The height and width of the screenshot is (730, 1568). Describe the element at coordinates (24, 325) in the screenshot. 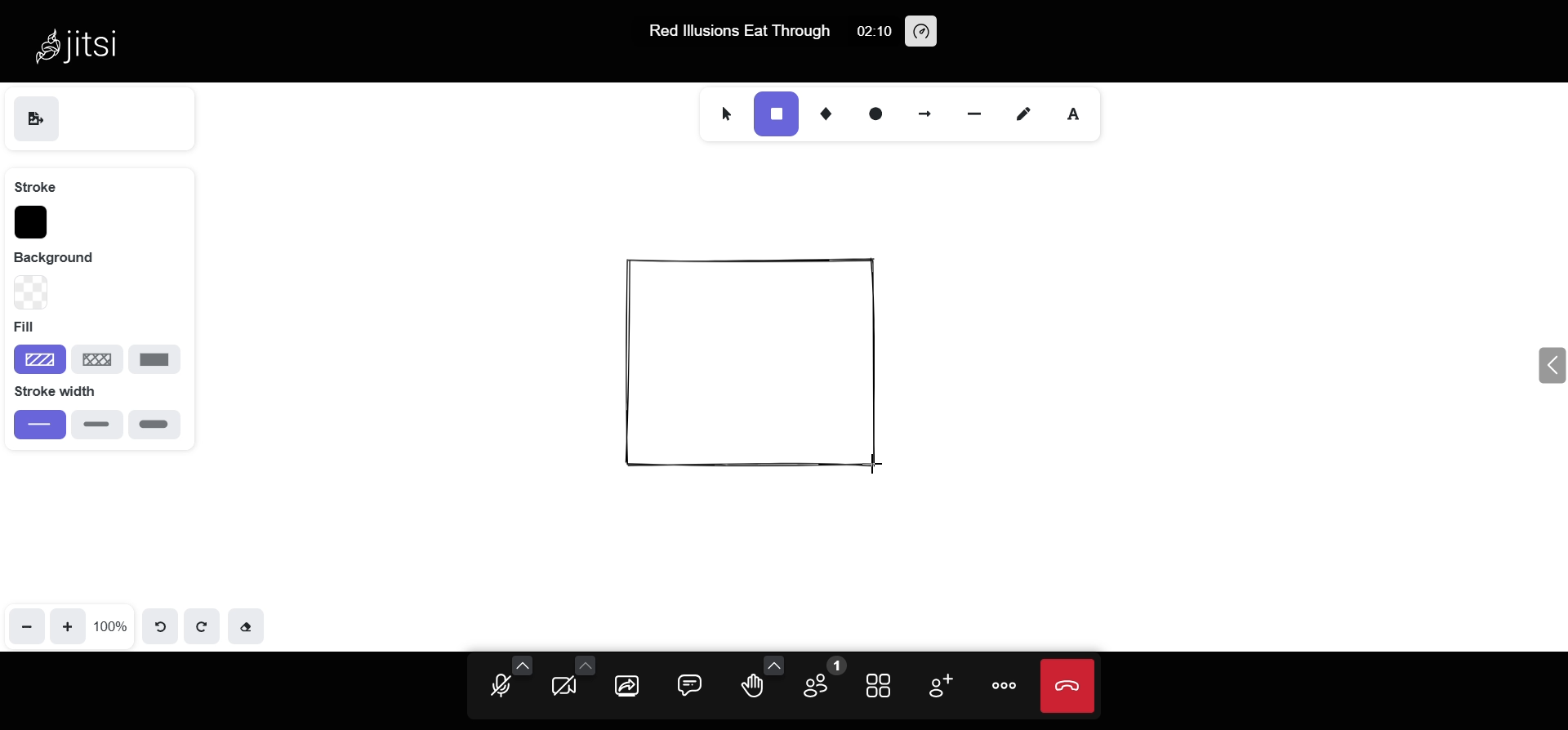

I see `fill` at that location.